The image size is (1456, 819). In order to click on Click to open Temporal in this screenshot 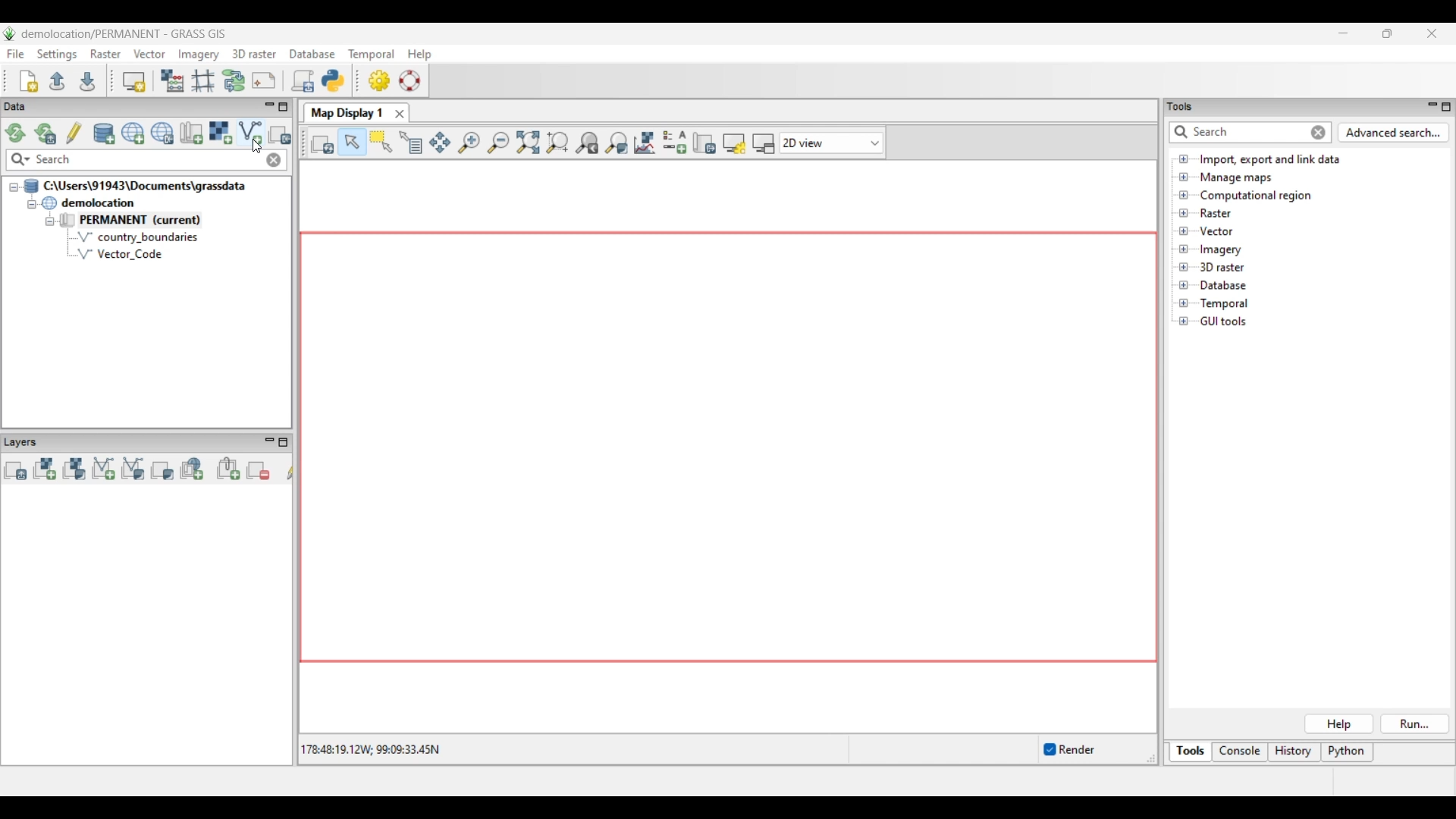, I will do `click(1184, 303)`.